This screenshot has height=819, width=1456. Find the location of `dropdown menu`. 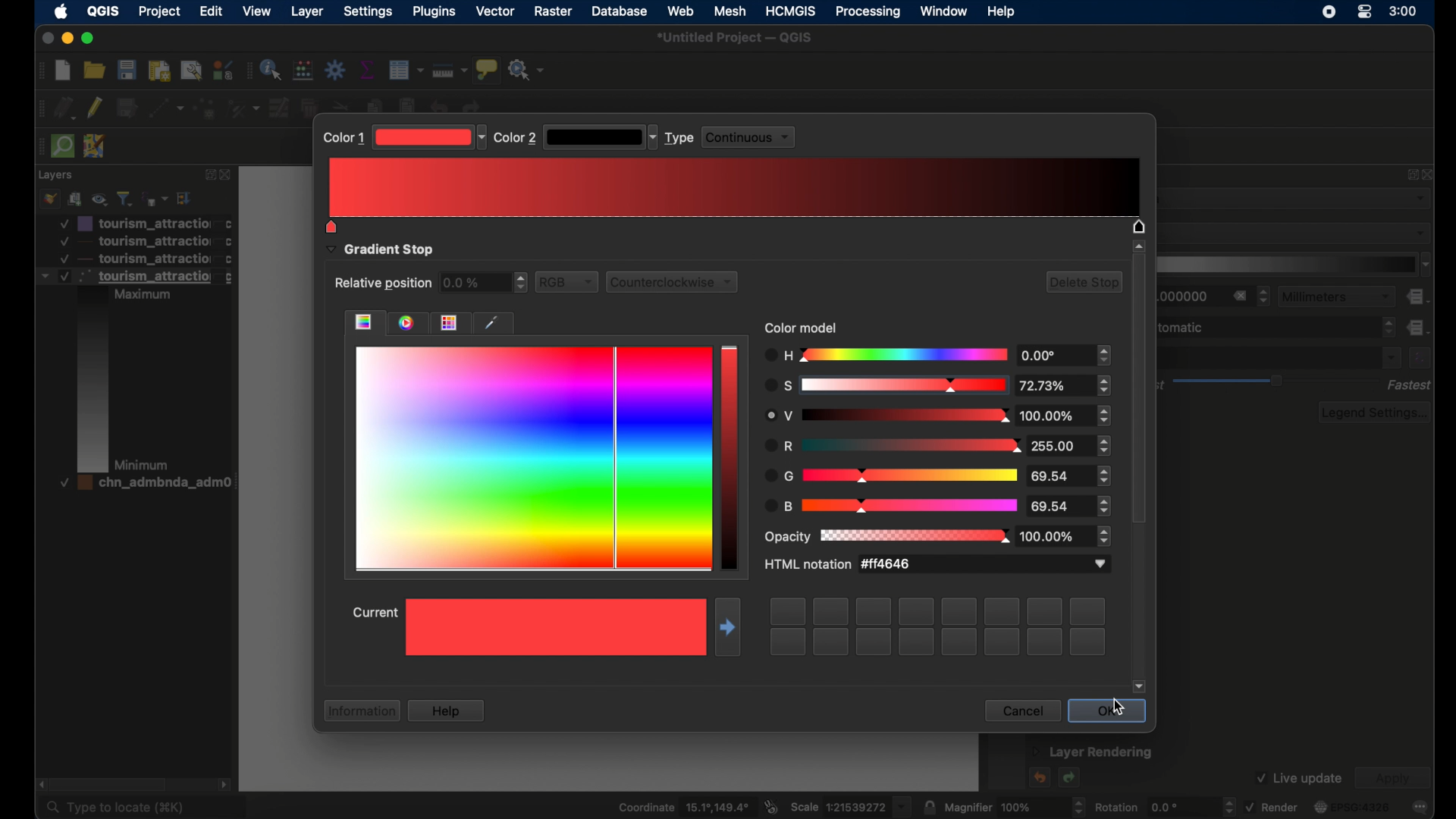

dropdown menu is located at coordinates (1390, 358).